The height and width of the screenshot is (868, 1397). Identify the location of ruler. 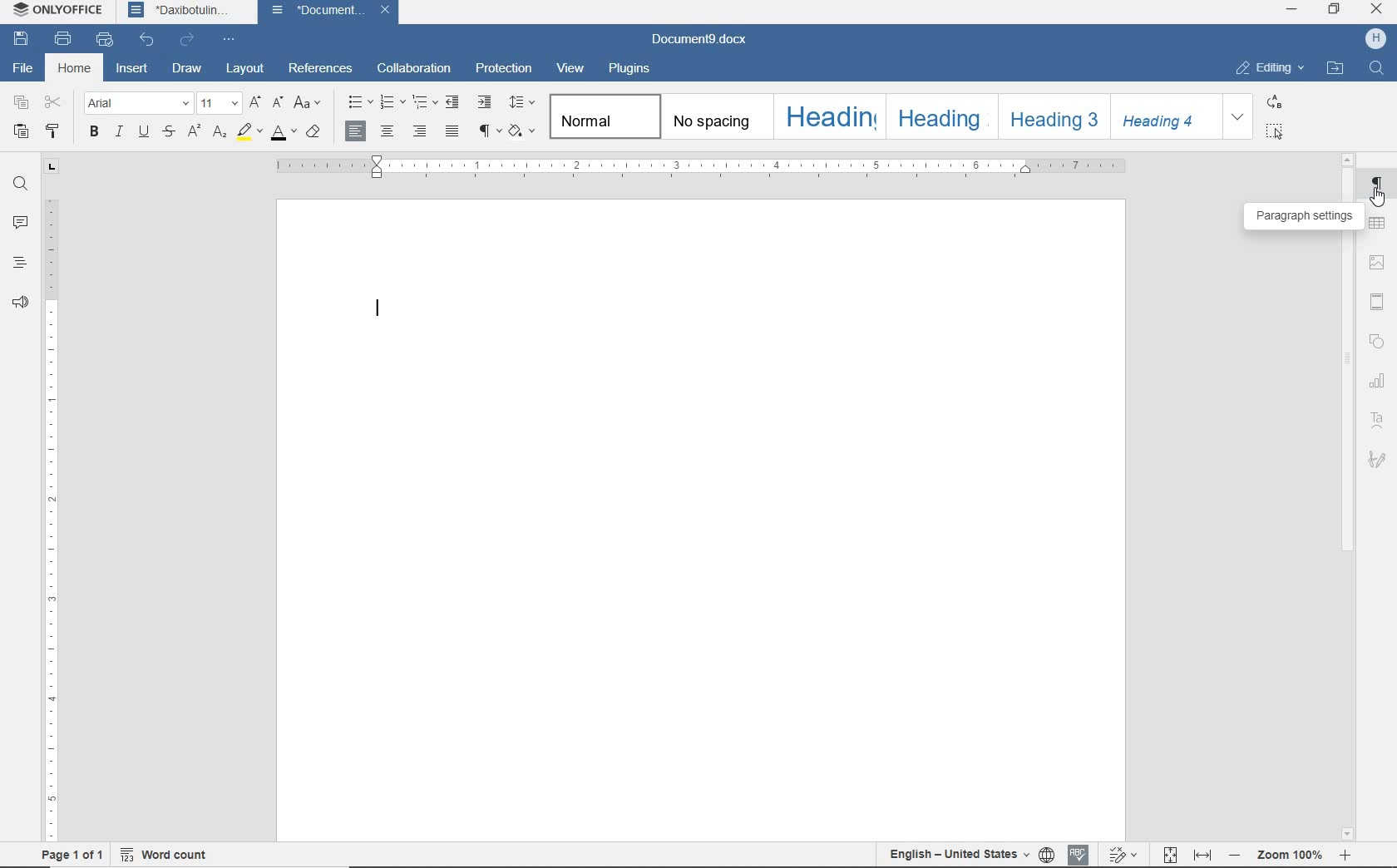
(696, 165).